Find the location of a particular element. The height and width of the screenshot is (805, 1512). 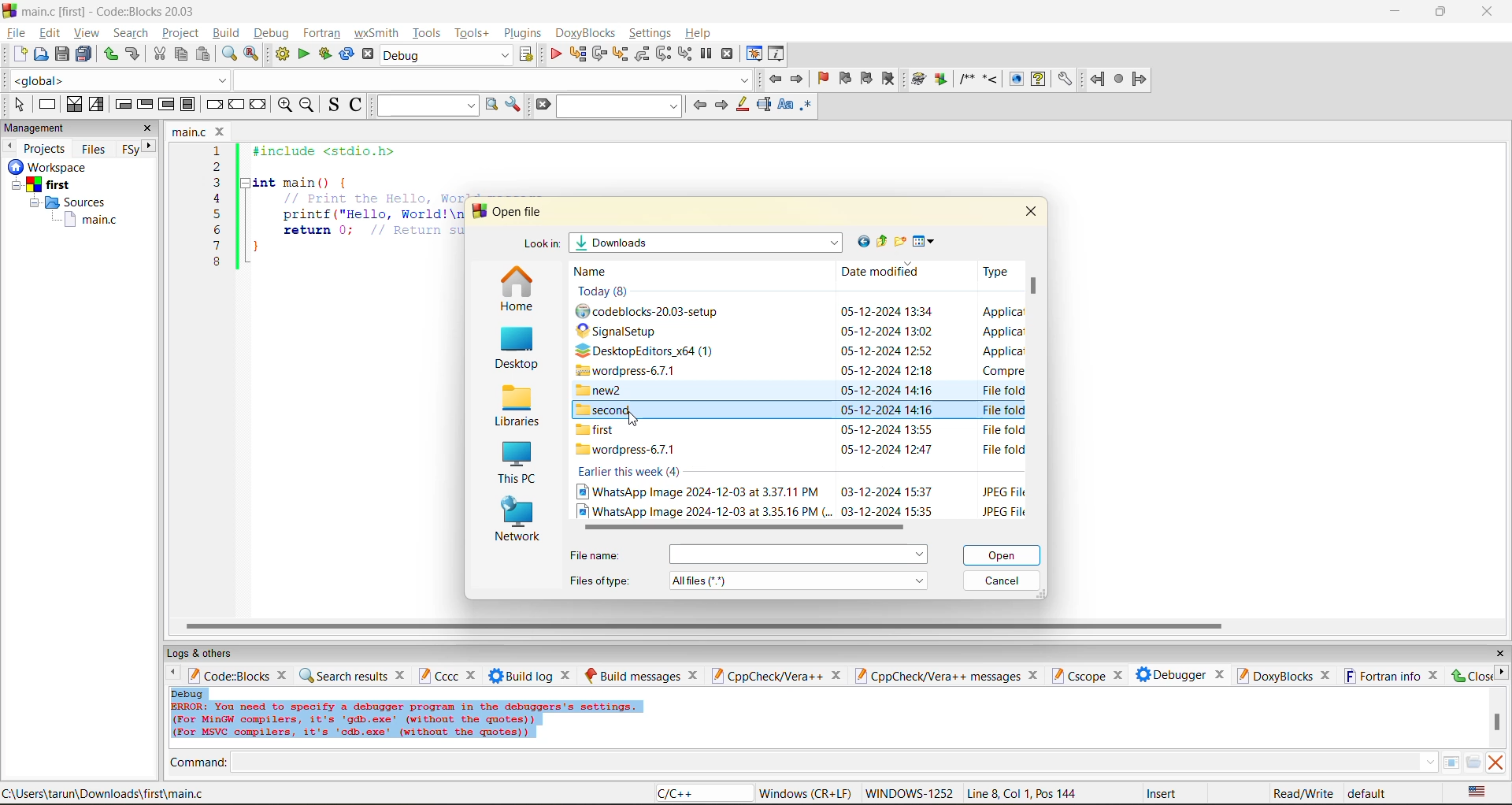

command is located at coordinates (198, 764).